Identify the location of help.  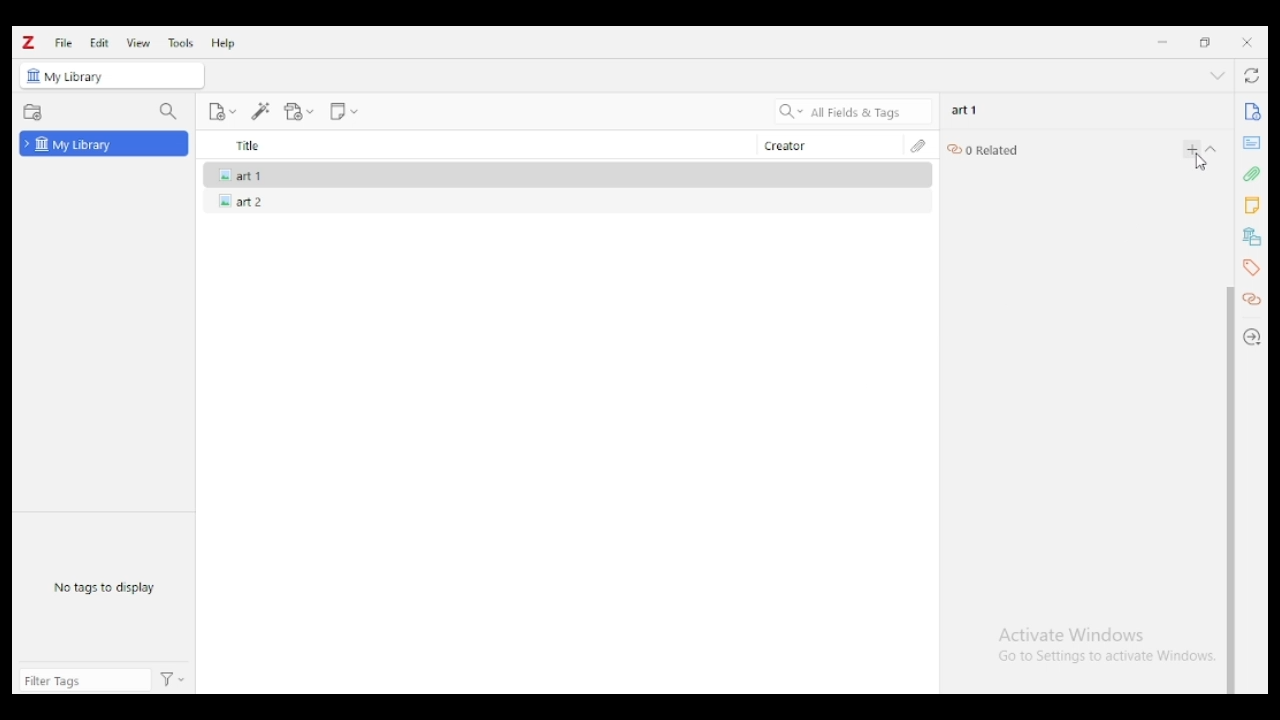
(224, 43).